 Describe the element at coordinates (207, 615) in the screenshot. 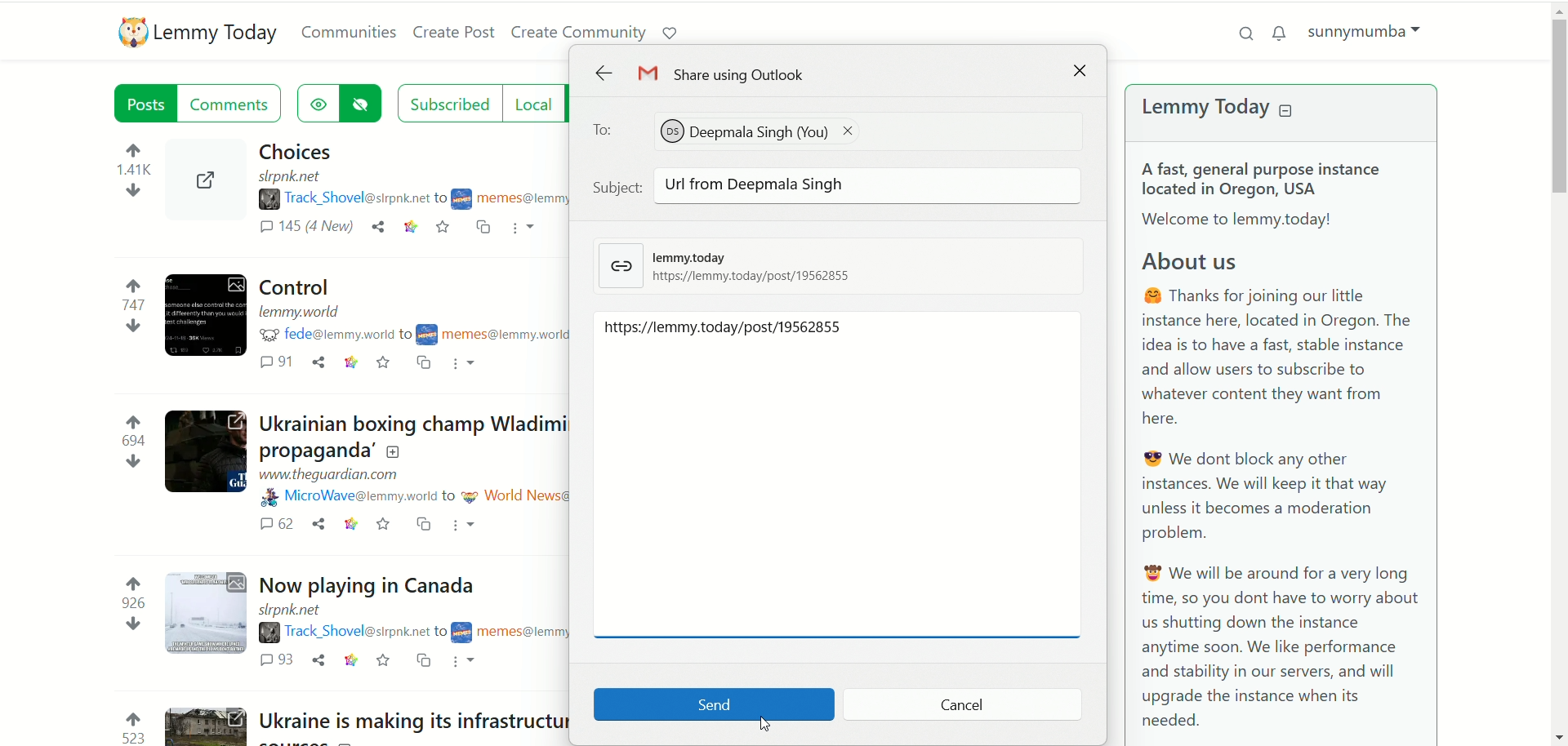

I see `Expand the post with the image` at that location.